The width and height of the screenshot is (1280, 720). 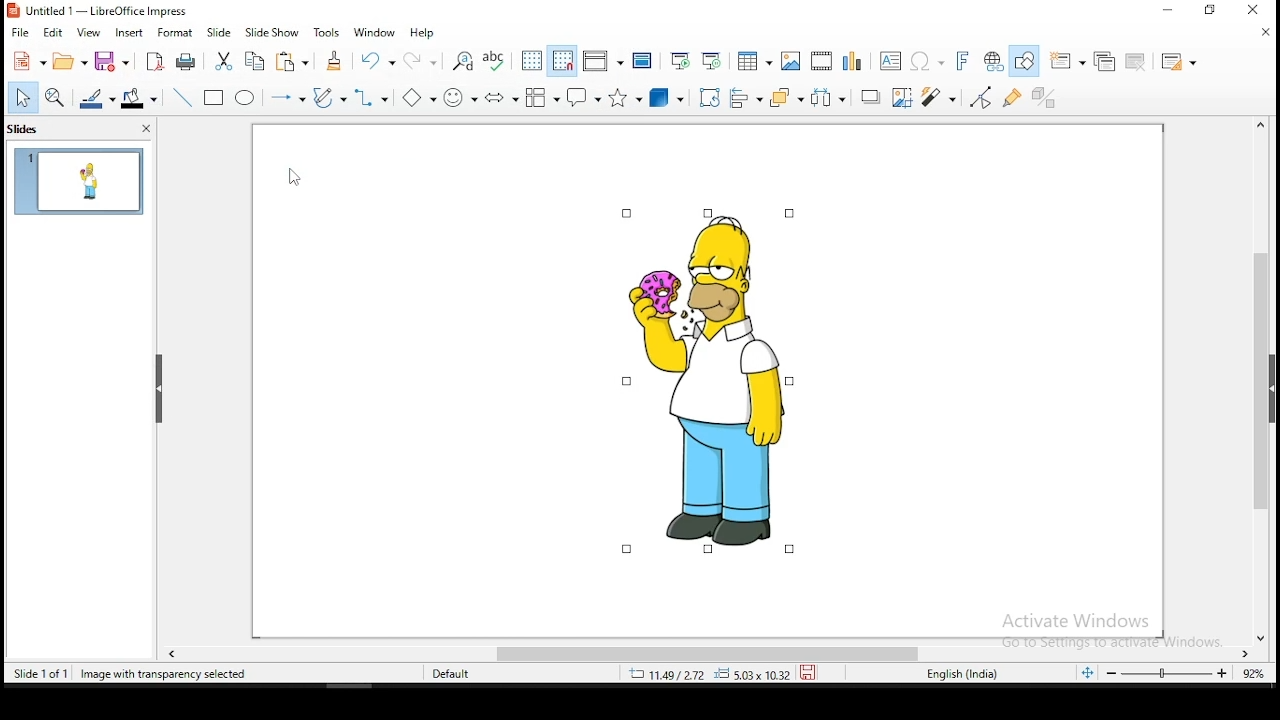 What do you see at coordinates (745, 95) in the screenshot?
I see `align objects` at bounding box center [745, 95].